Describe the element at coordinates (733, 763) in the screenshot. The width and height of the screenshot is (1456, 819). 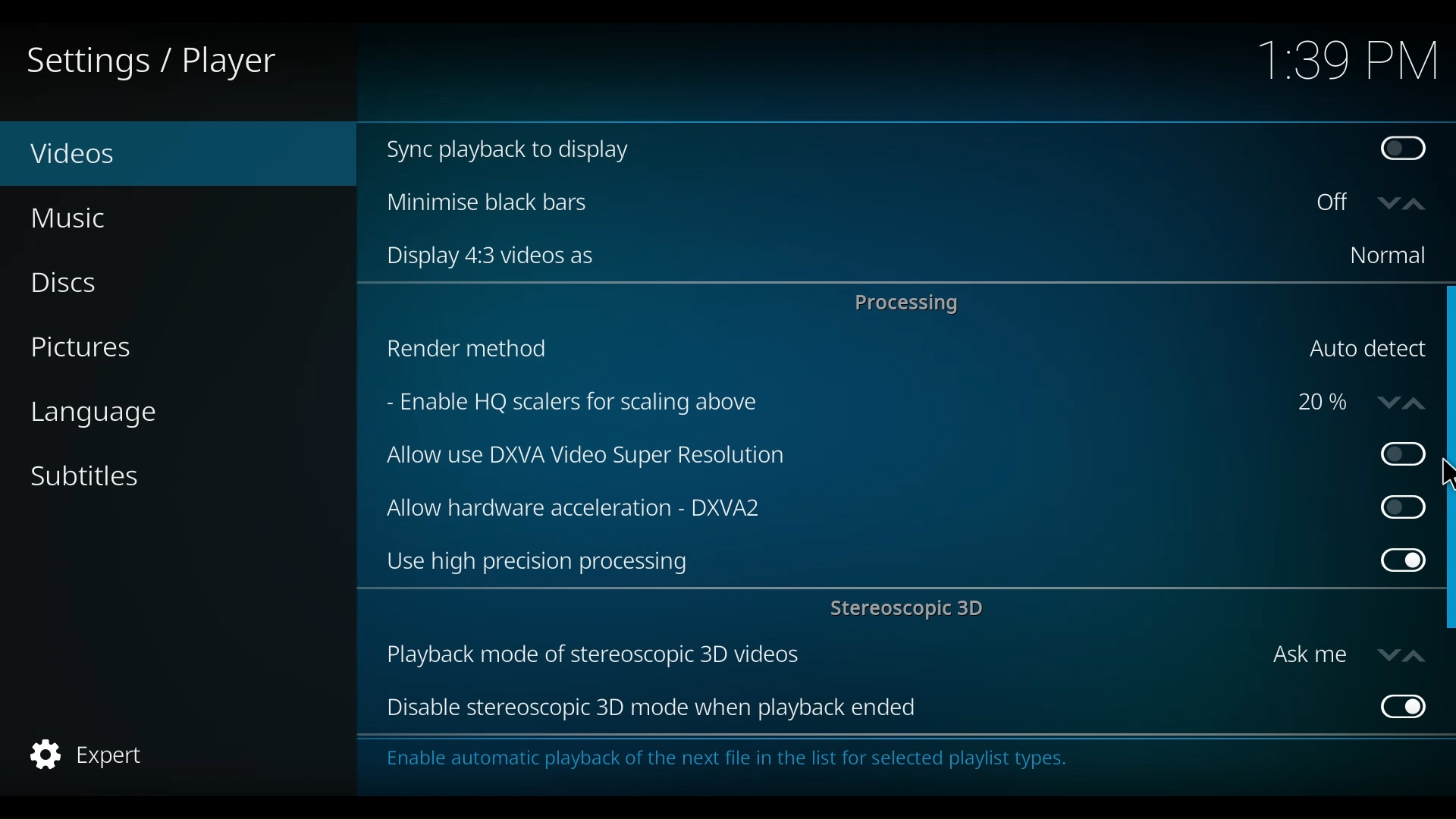
I see `Enable automatic playback of the next file in the list for selected playlist types` at that location.